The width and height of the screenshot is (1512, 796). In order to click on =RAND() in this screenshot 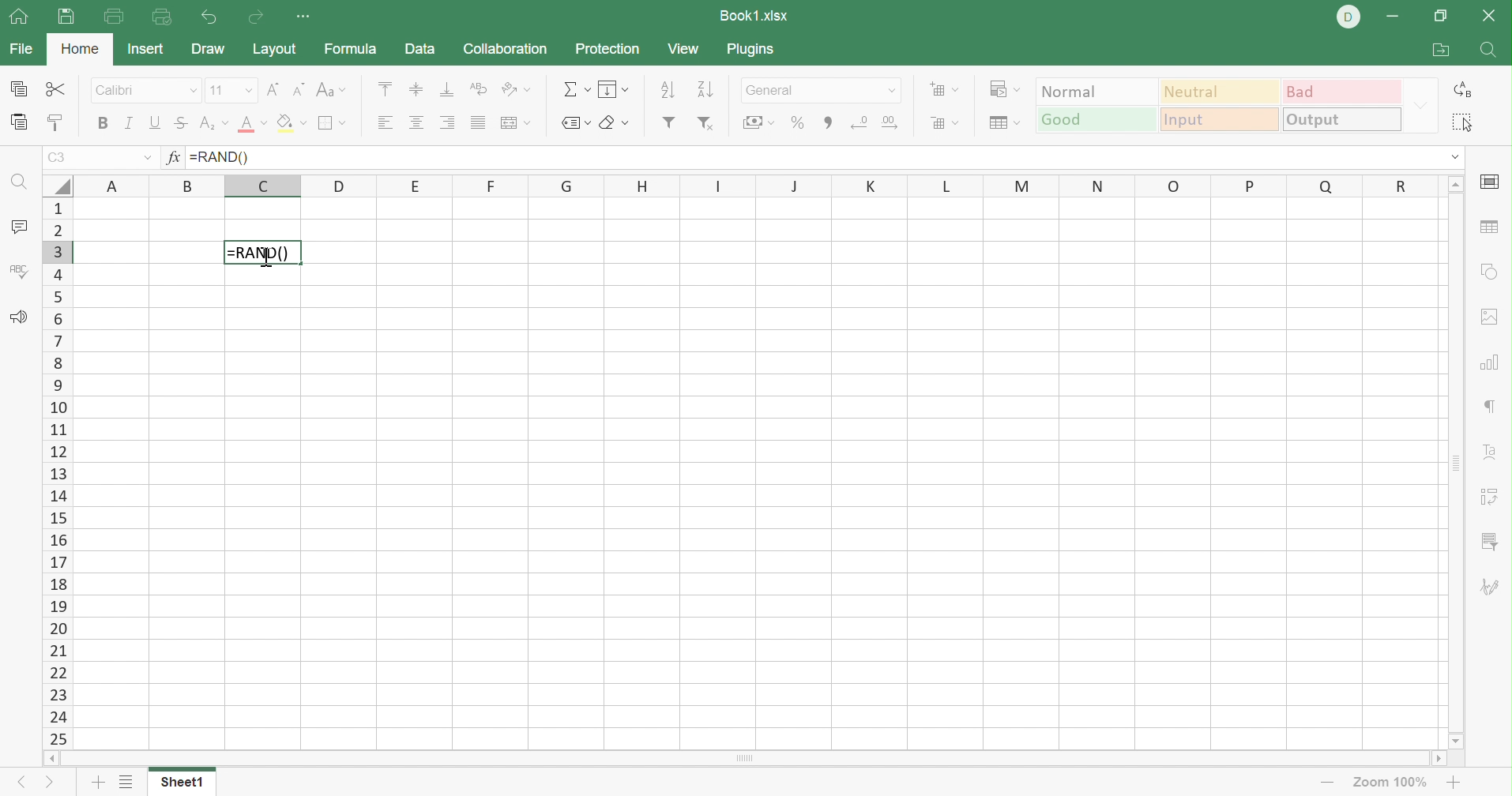, I will do `click(221, 158)`.